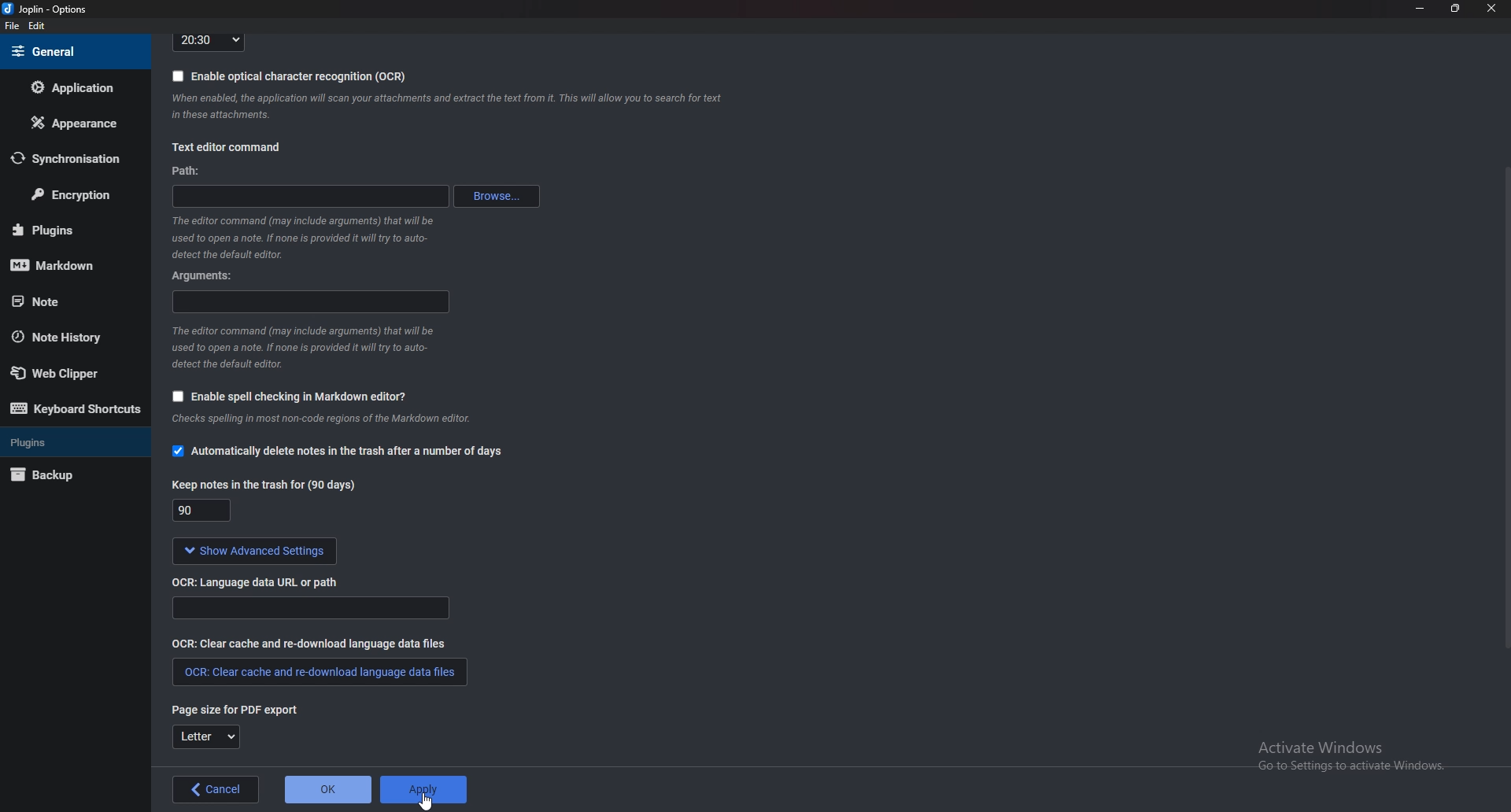 This screenshot has width=1511, height=812. Describe the element at coordinates (448, 106) in the screenshot. I see `info on ocr` at that location.